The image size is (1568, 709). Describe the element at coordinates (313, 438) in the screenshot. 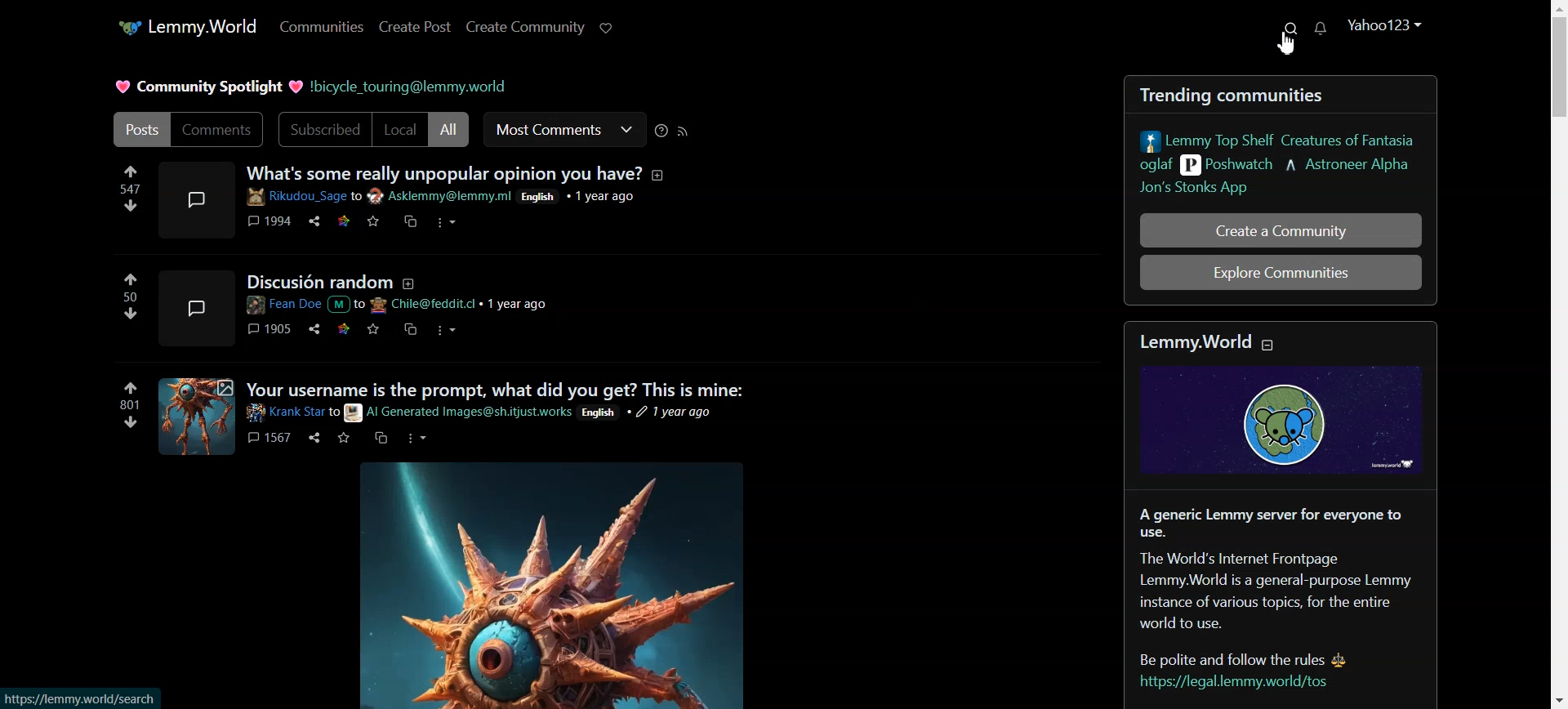

I see `share` at that location.